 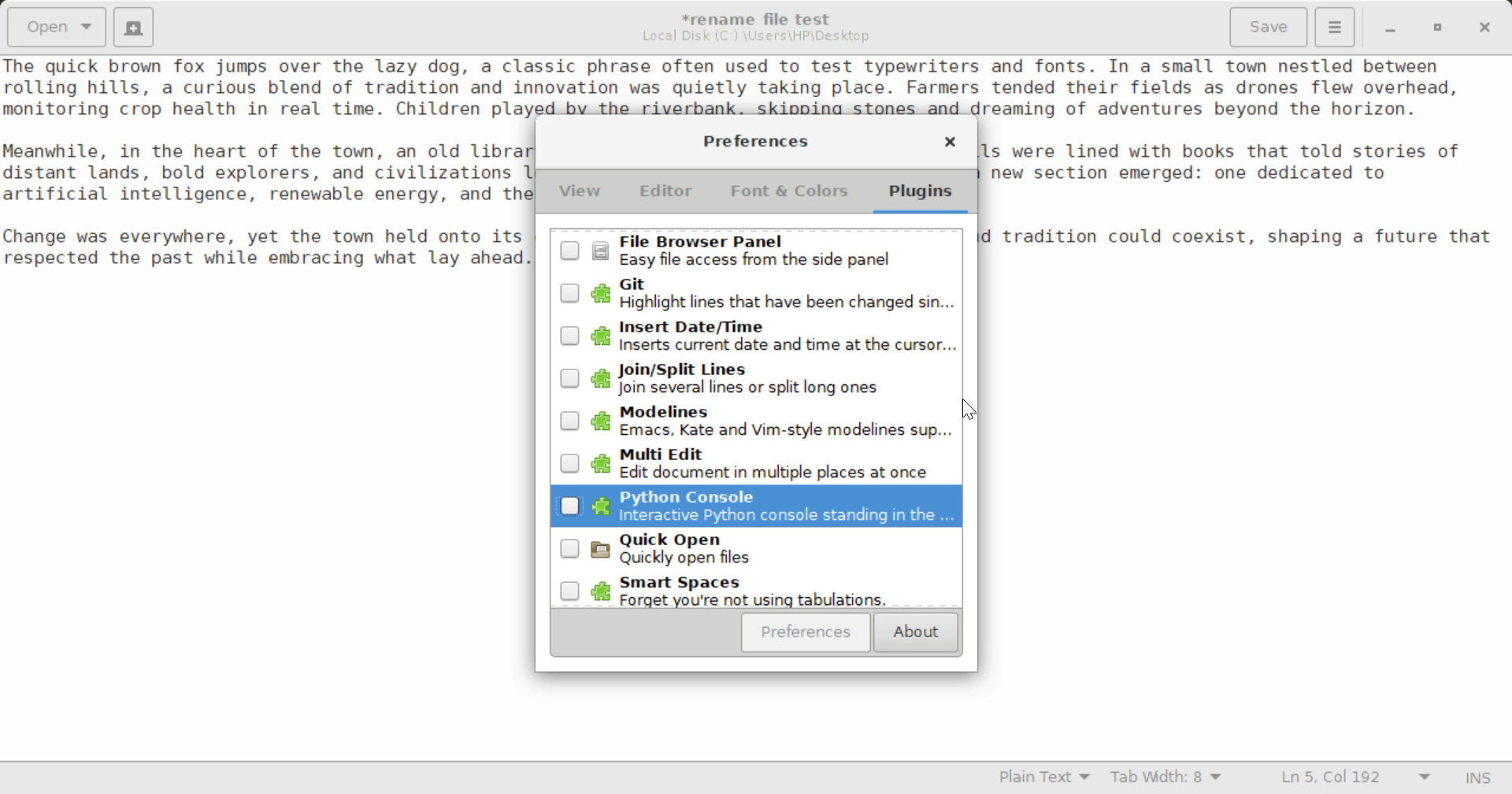 I want to click on Open Document, so click(x=57, y=25).